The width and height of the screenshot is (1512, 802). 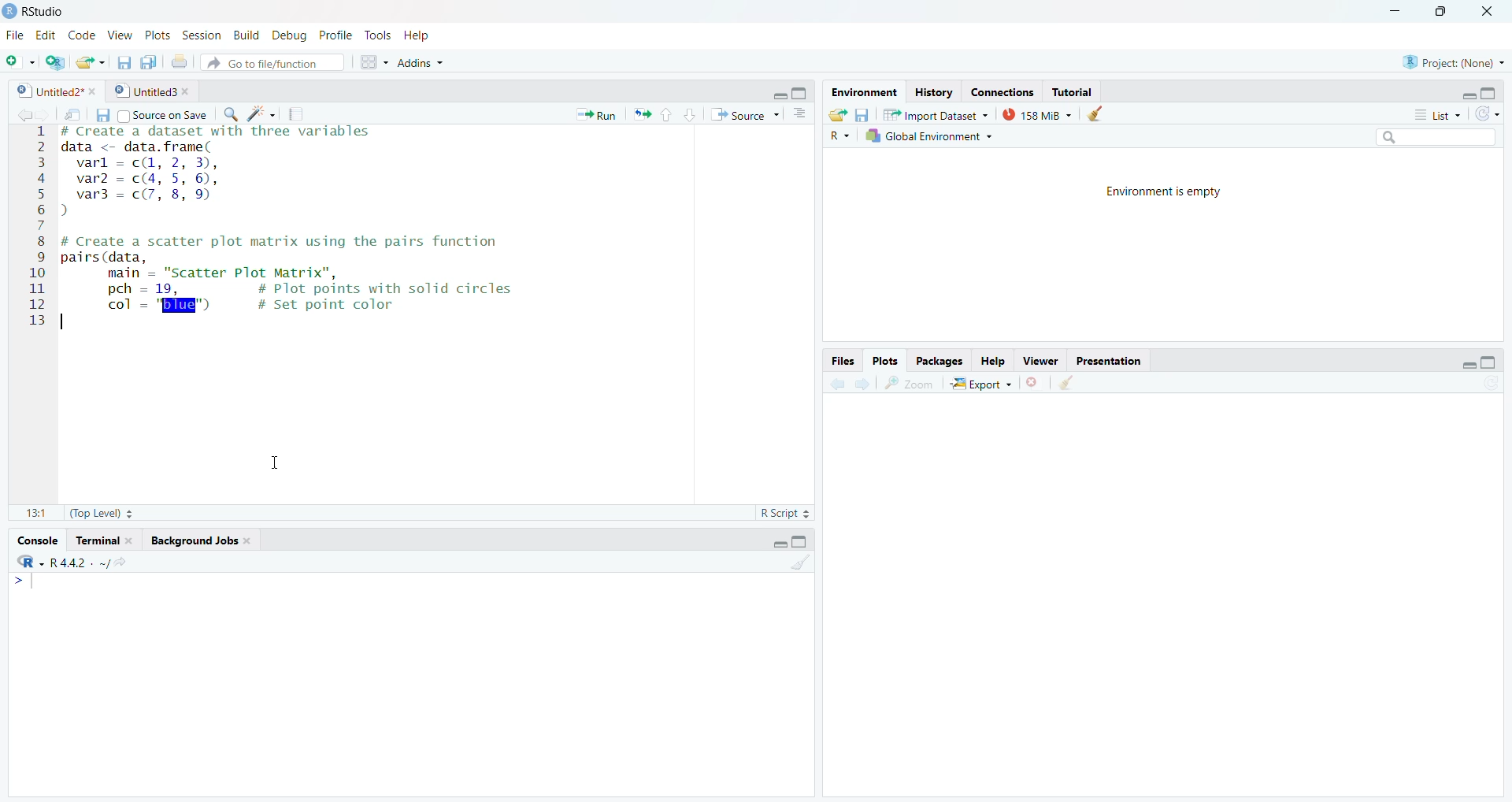 I want to click on Edit, so click(x=46, y=35).